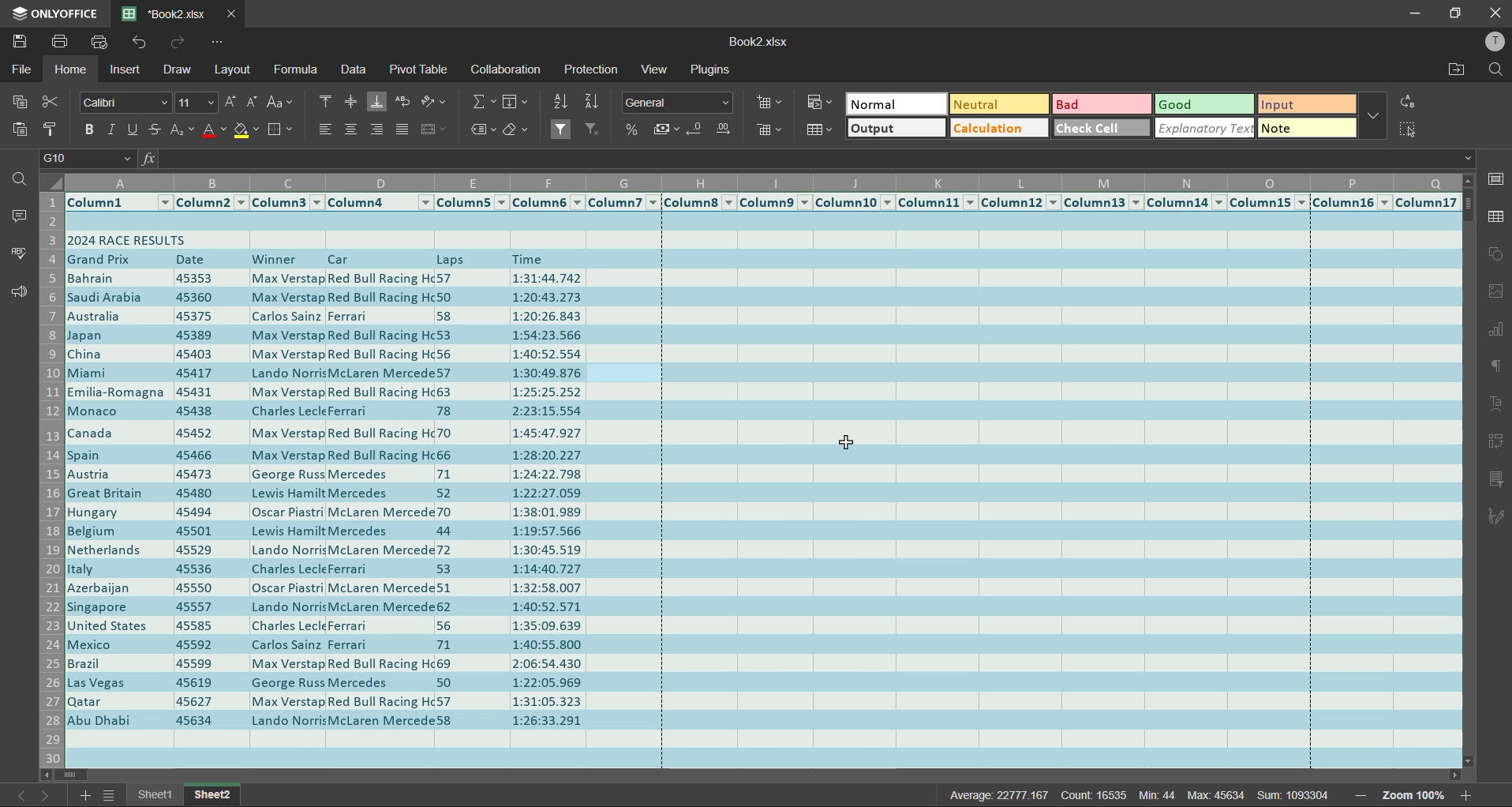 The image size is (1512, 807). Describe the element at coordinates (71, 70) in the screenshot. I see `home` at that location.